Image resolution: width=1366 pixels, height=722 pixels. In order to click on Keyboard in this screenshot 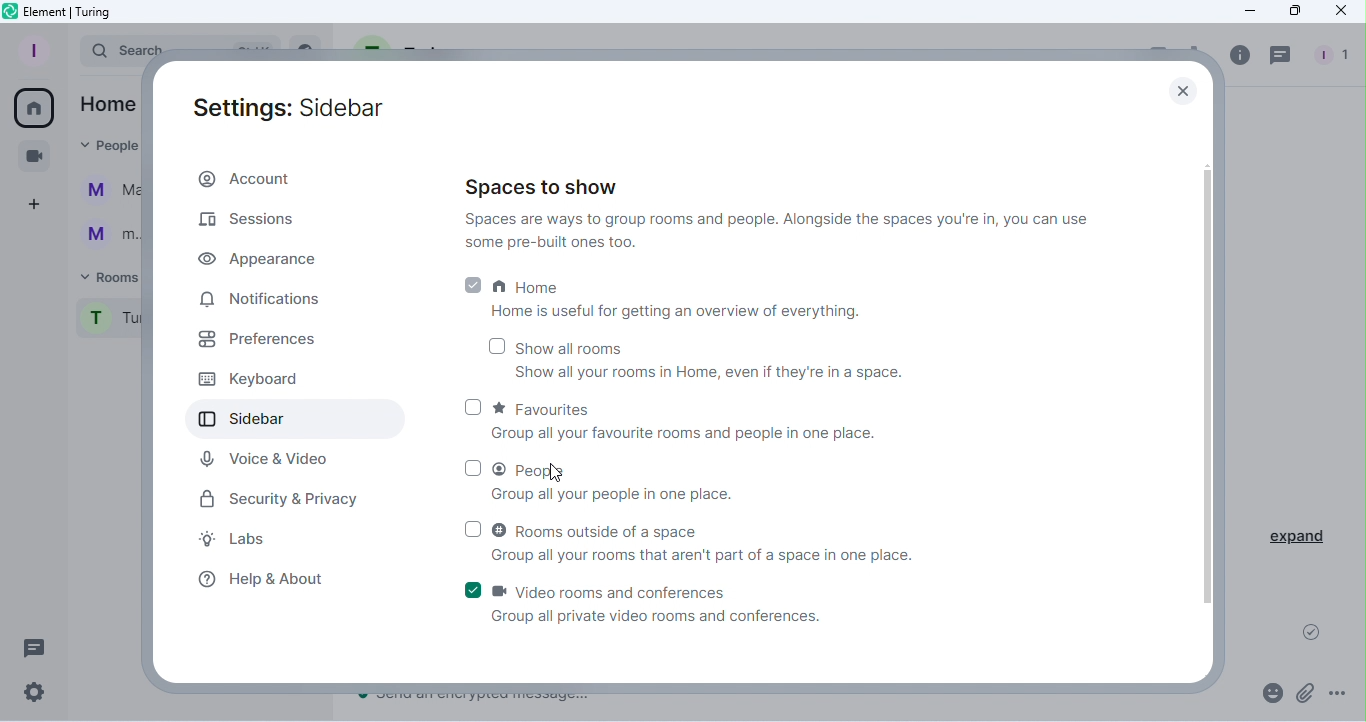, I will do `click(245, 380)`.